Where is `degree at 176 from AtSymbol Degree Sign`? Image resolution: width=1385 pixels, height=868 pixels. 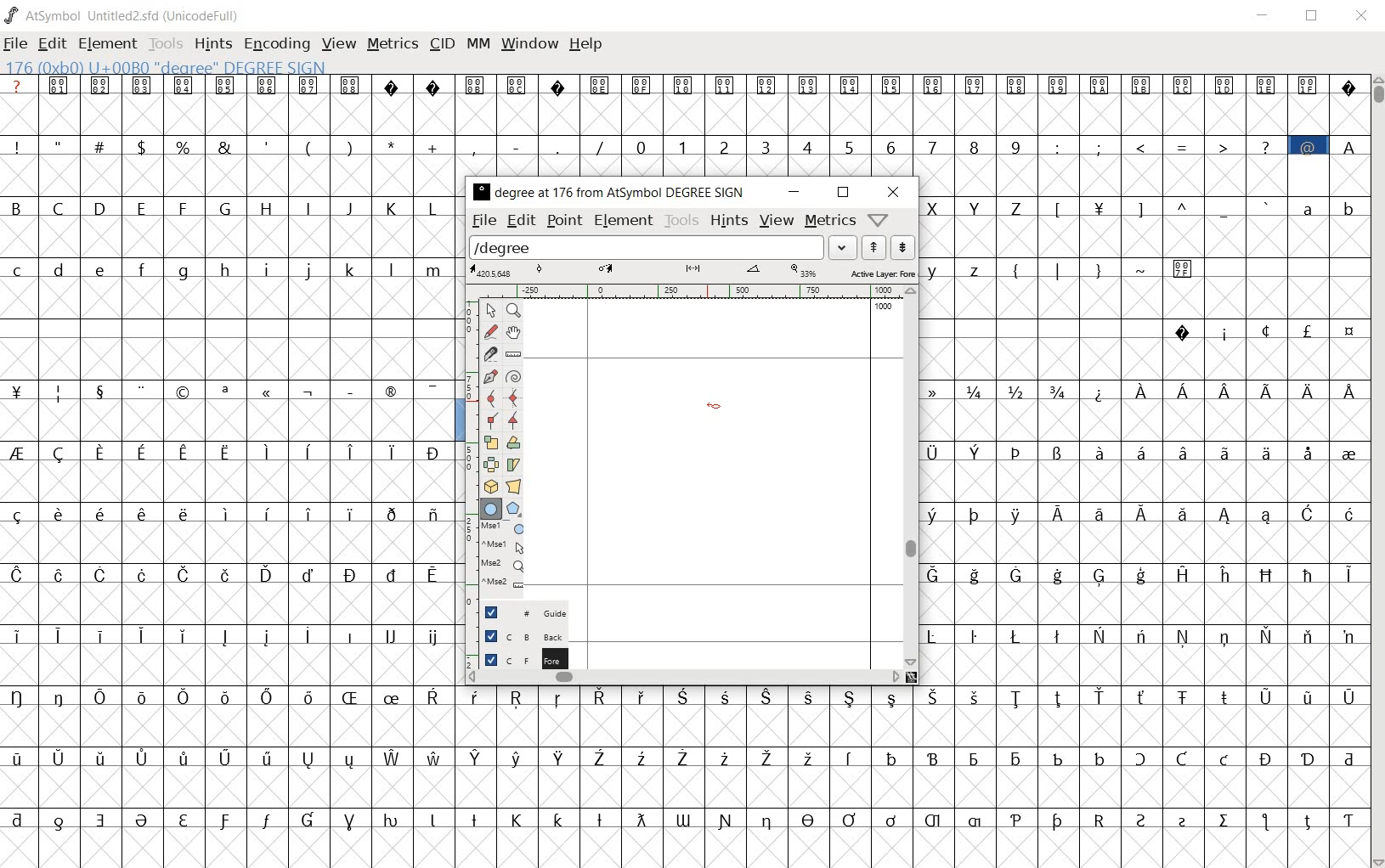 degree at 176 from AtSymbol Degree Sign is located at coordinates (610, 194).